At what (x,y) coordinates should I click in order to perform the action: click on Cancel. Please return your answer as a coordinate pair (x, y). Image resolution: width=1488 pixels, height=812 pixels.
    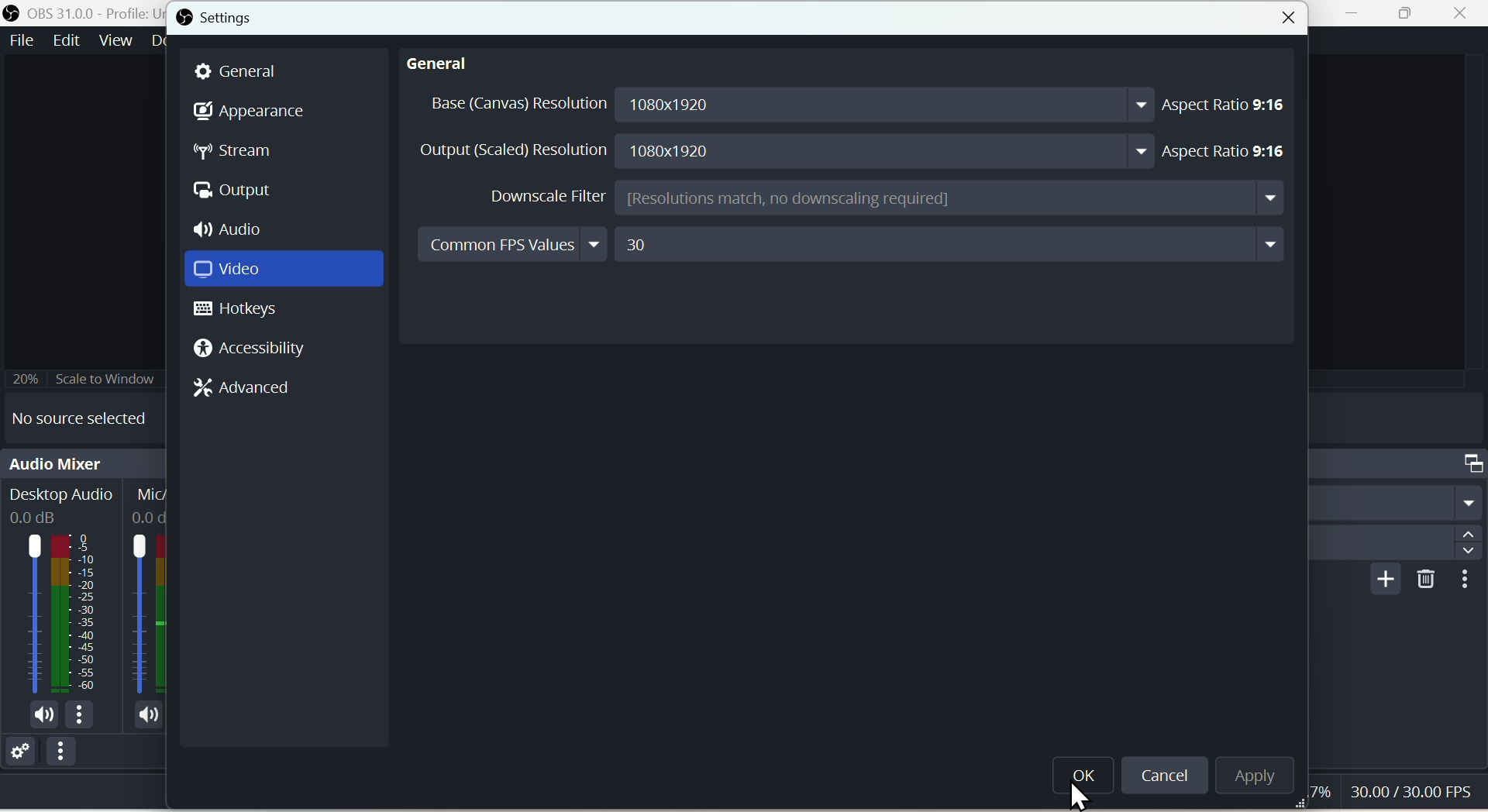
    Looking at the image, I should click on (1166, 776).